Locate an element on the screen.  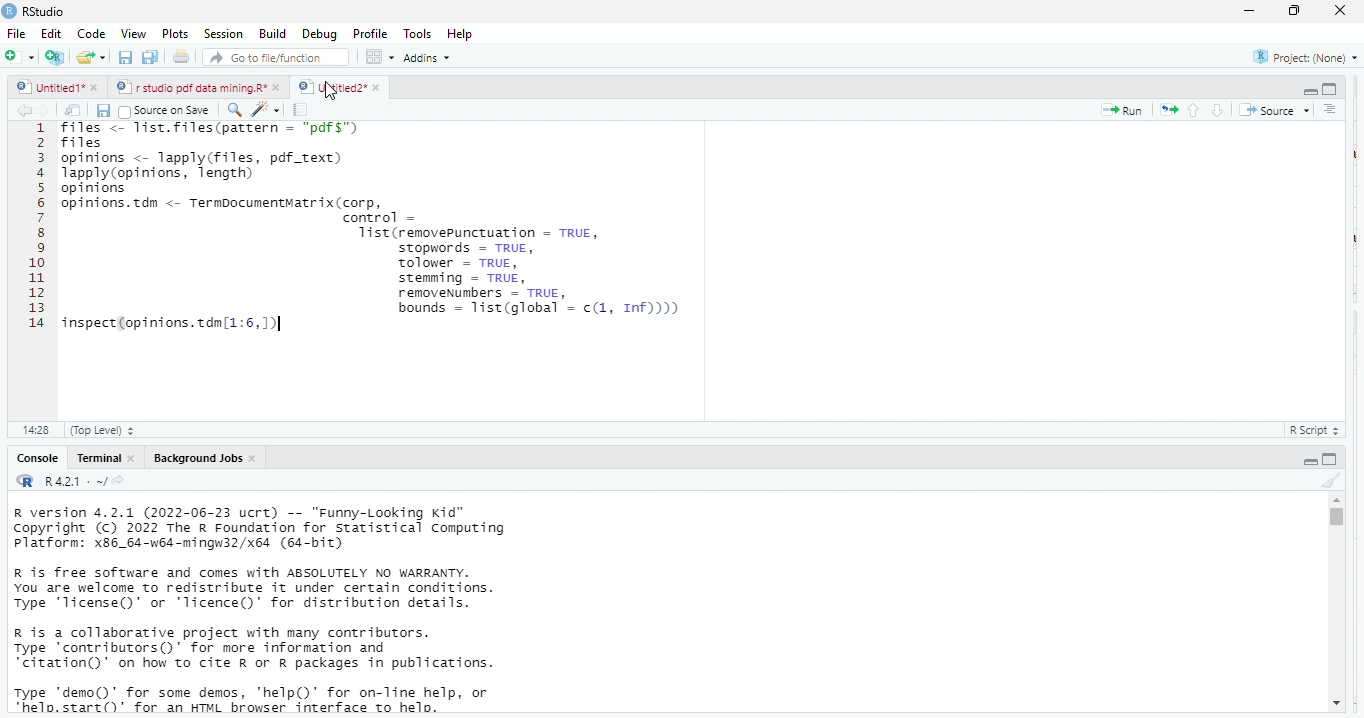
save current document is located at coordinates (126, 58).